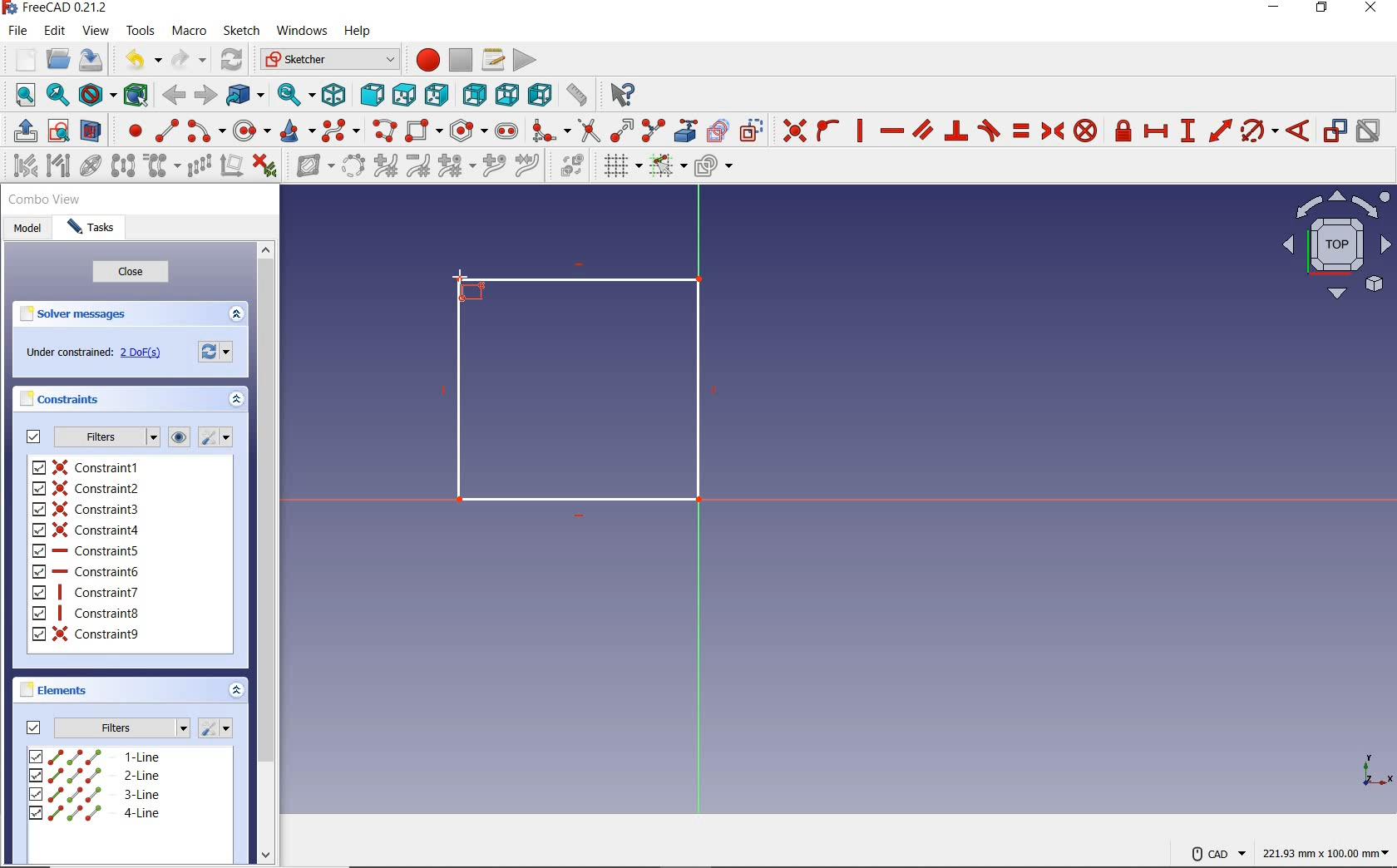 The image size is (1397, 868). Describe the element at coordinates (265, 167) in the screenshot. I see `delete all constrains` at that location.